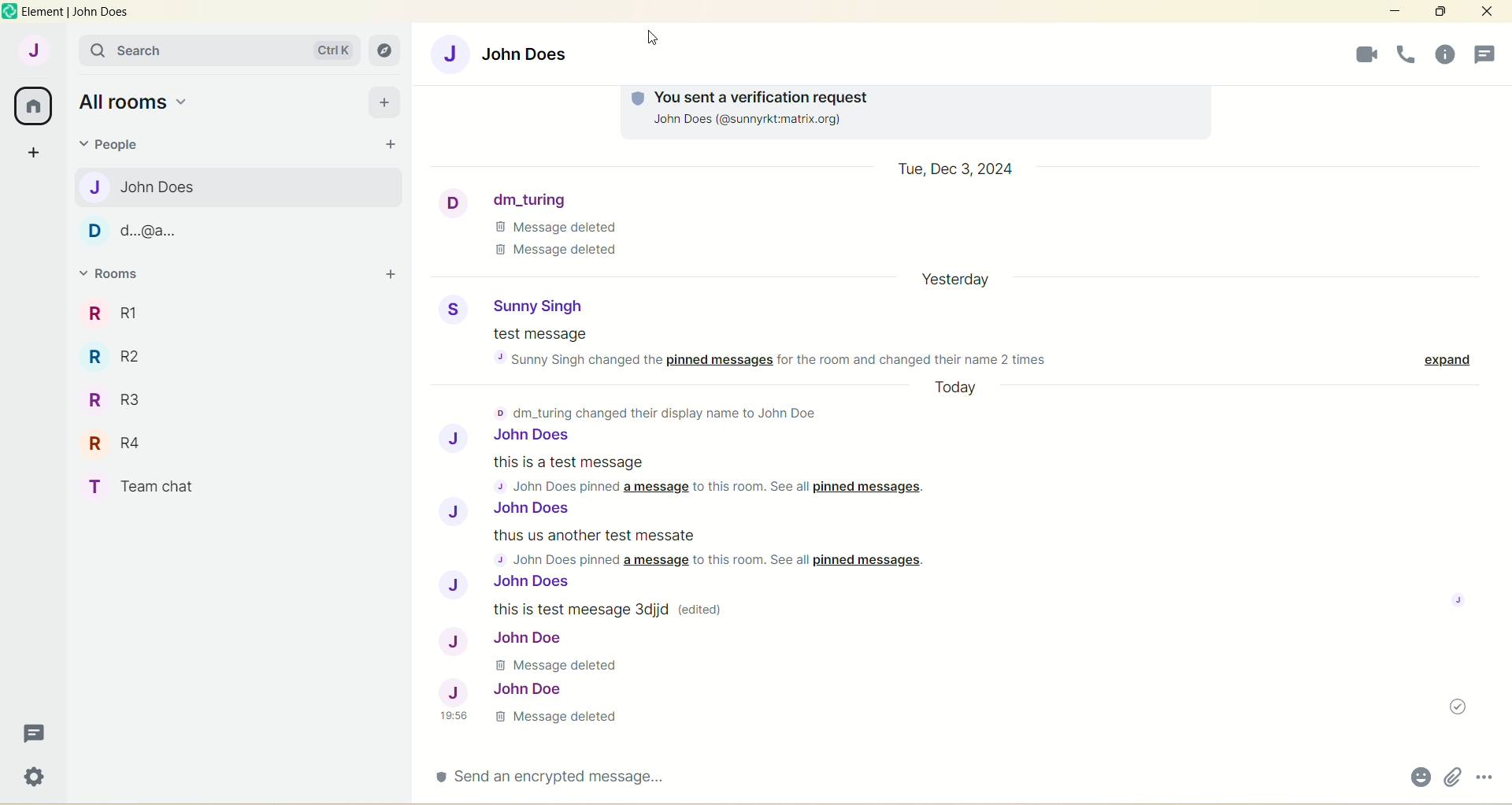 This screenshot has width=1512, height=805. I want to click on T Team chat, so click(155, 484).